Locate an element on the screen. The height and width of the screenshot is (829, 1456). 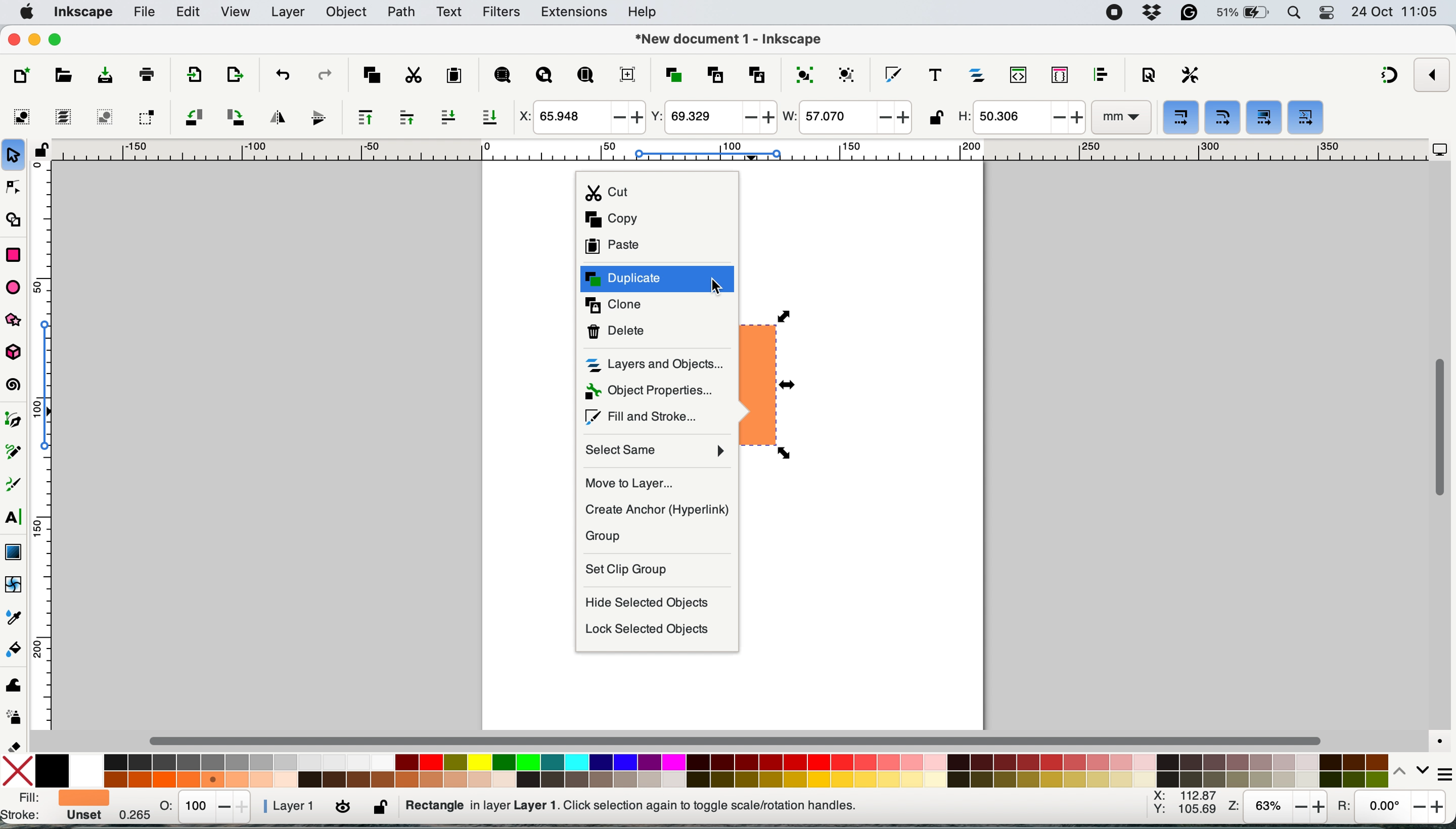
xml editor is located at coordinates (1016, 75).